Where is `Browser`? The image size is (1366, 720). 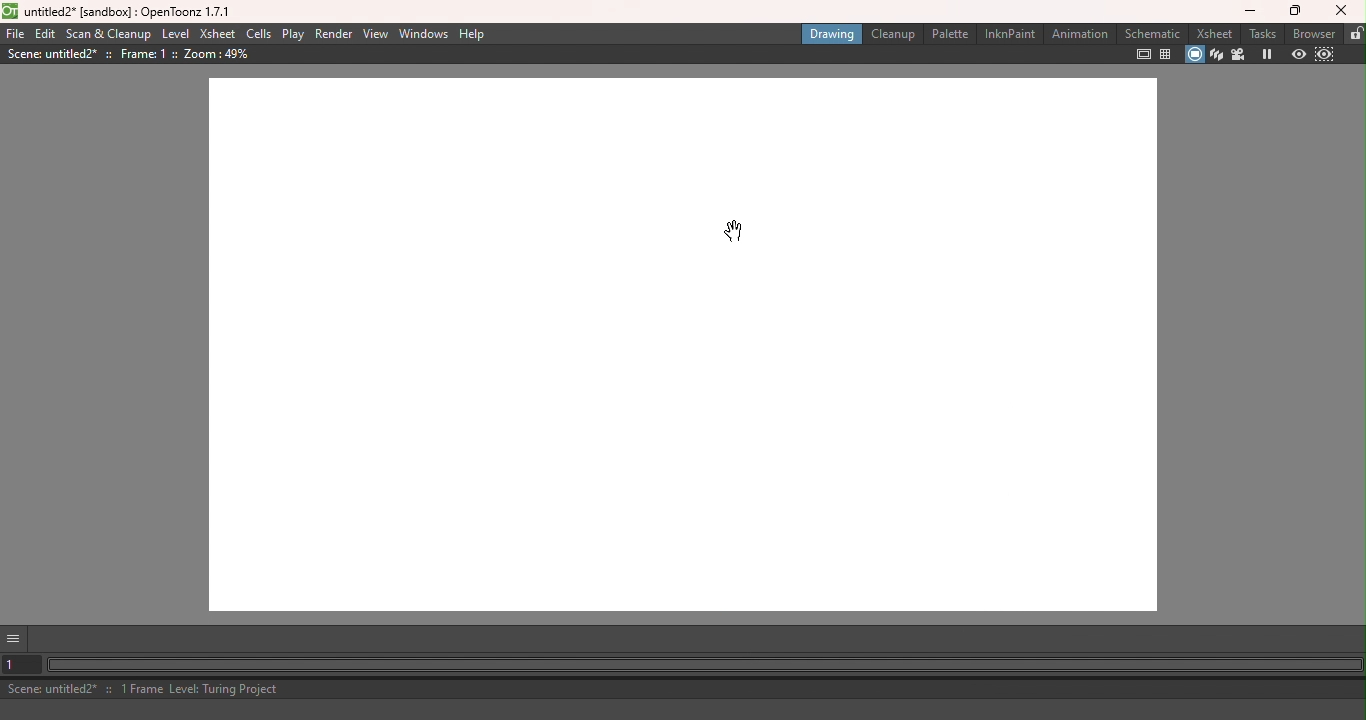
Browser is located at coordinates (1313, 33).